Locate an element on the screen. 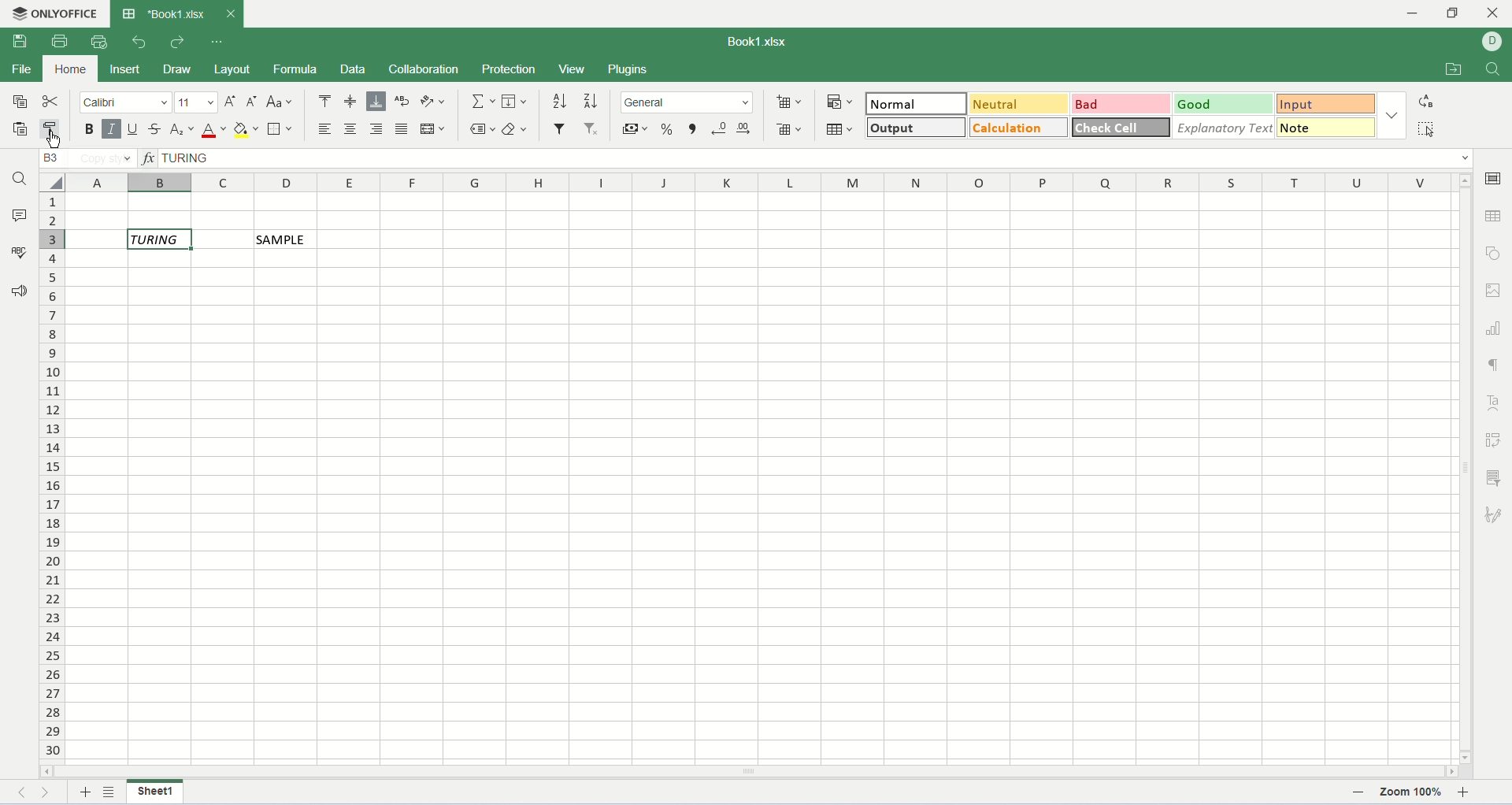 The image size is (1512, 805). output is located at coordinates (917, 127).